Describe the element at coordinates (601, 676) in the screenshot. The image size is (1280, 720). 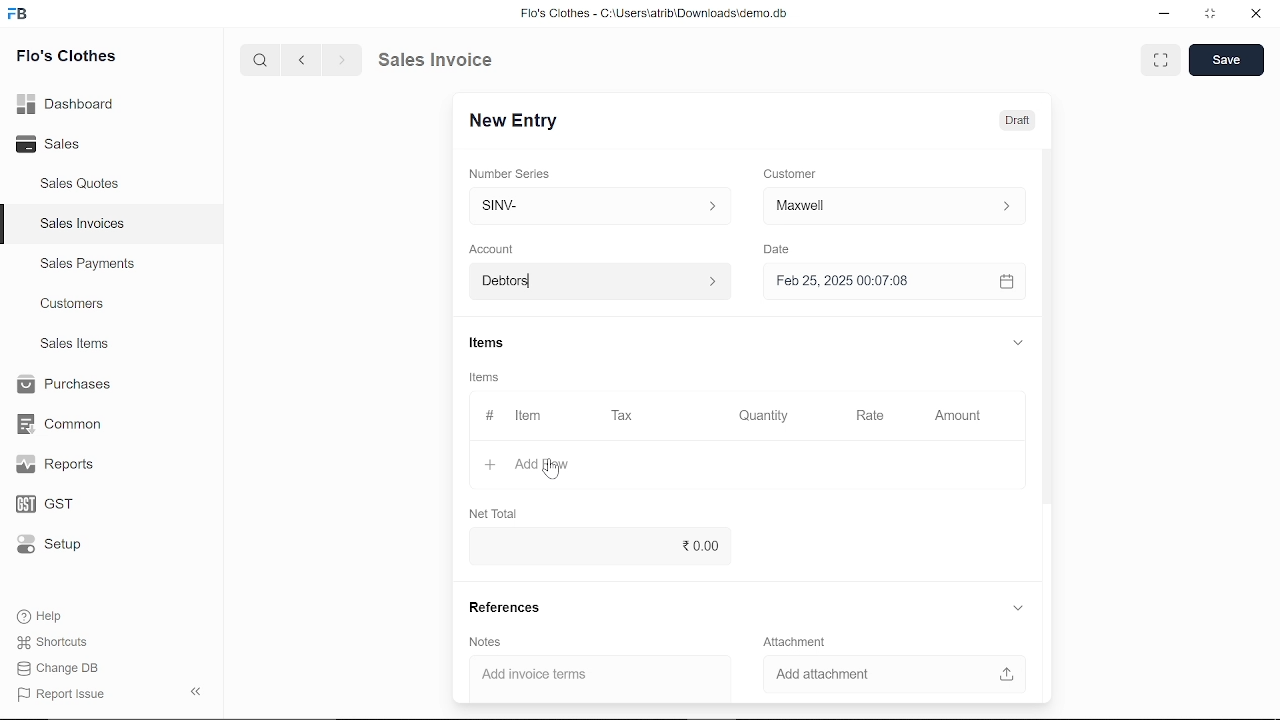
I see `Add invoice terms` at that location.